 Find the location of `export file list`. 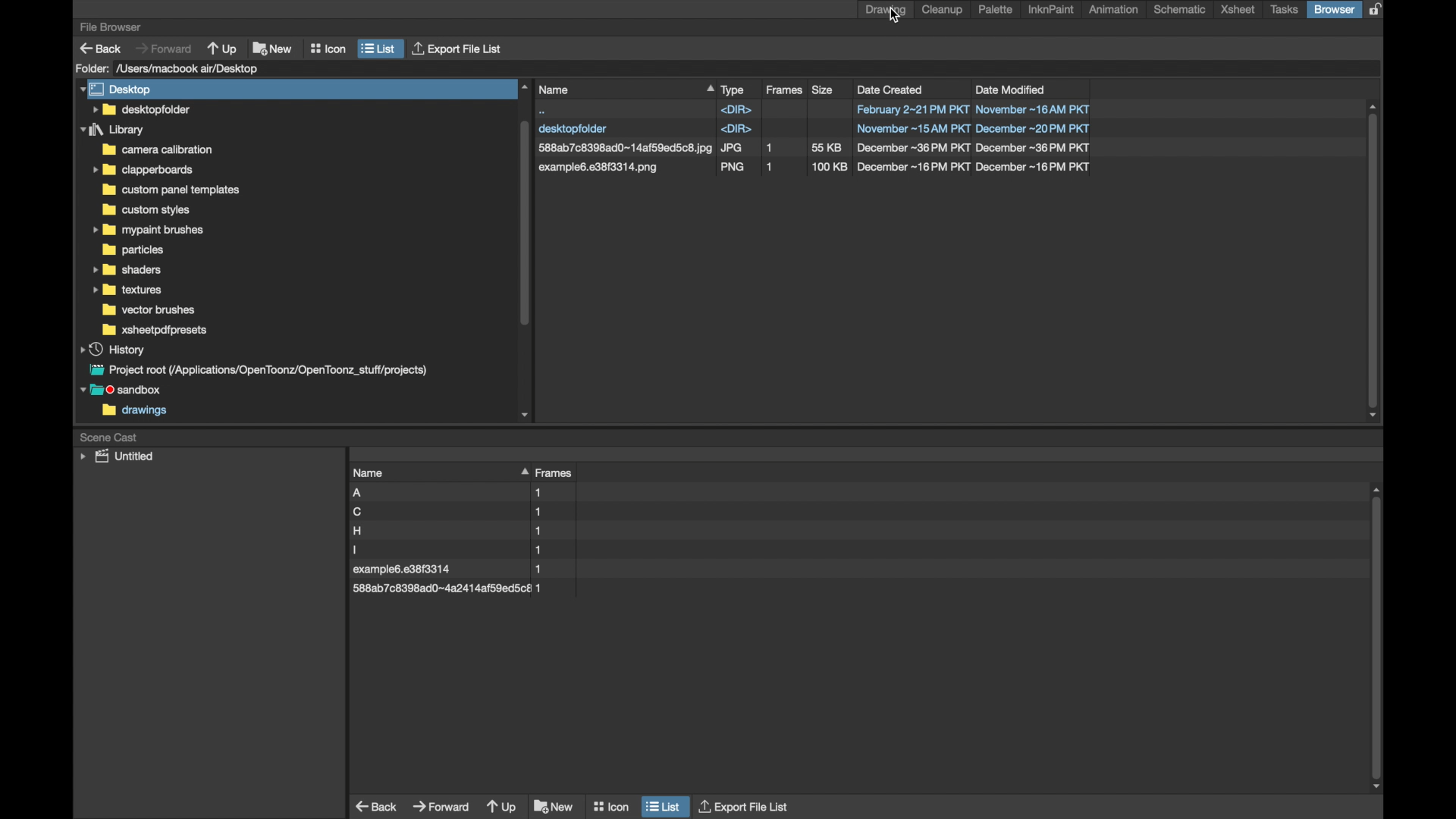

export file list is located at coordinates (745, 805).